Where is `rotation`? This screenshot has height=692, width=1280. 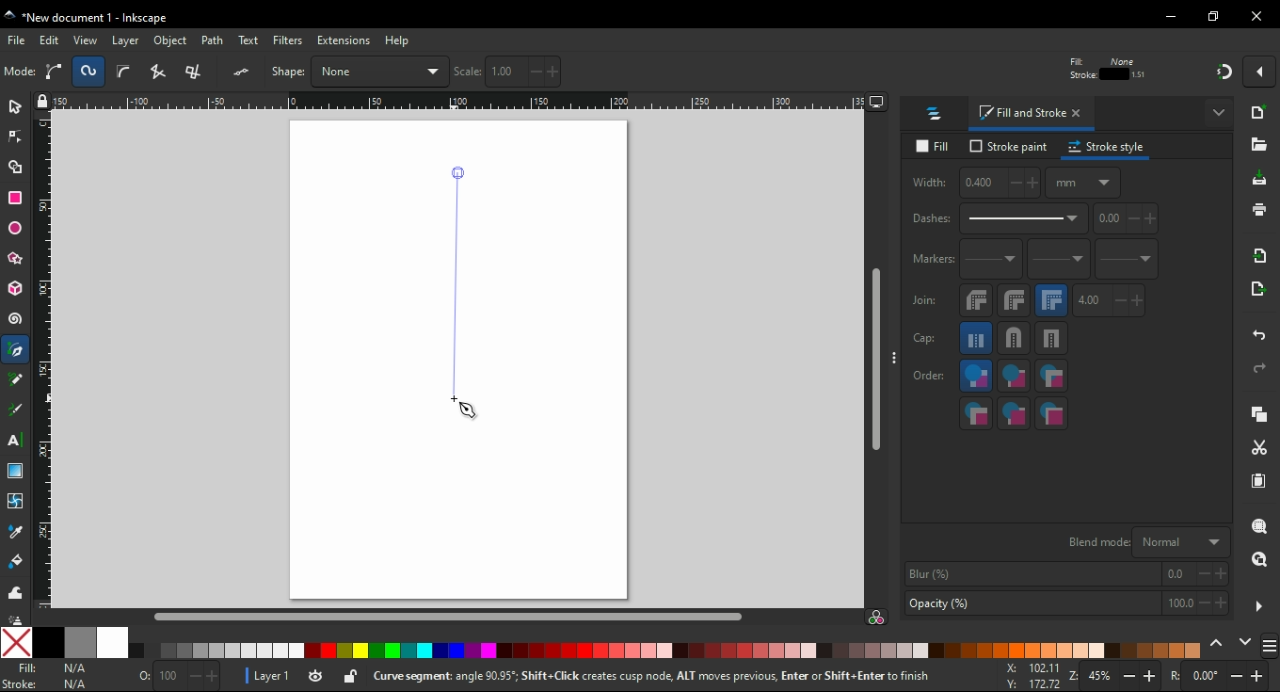 rotation is located at coordinates (1218, 677).